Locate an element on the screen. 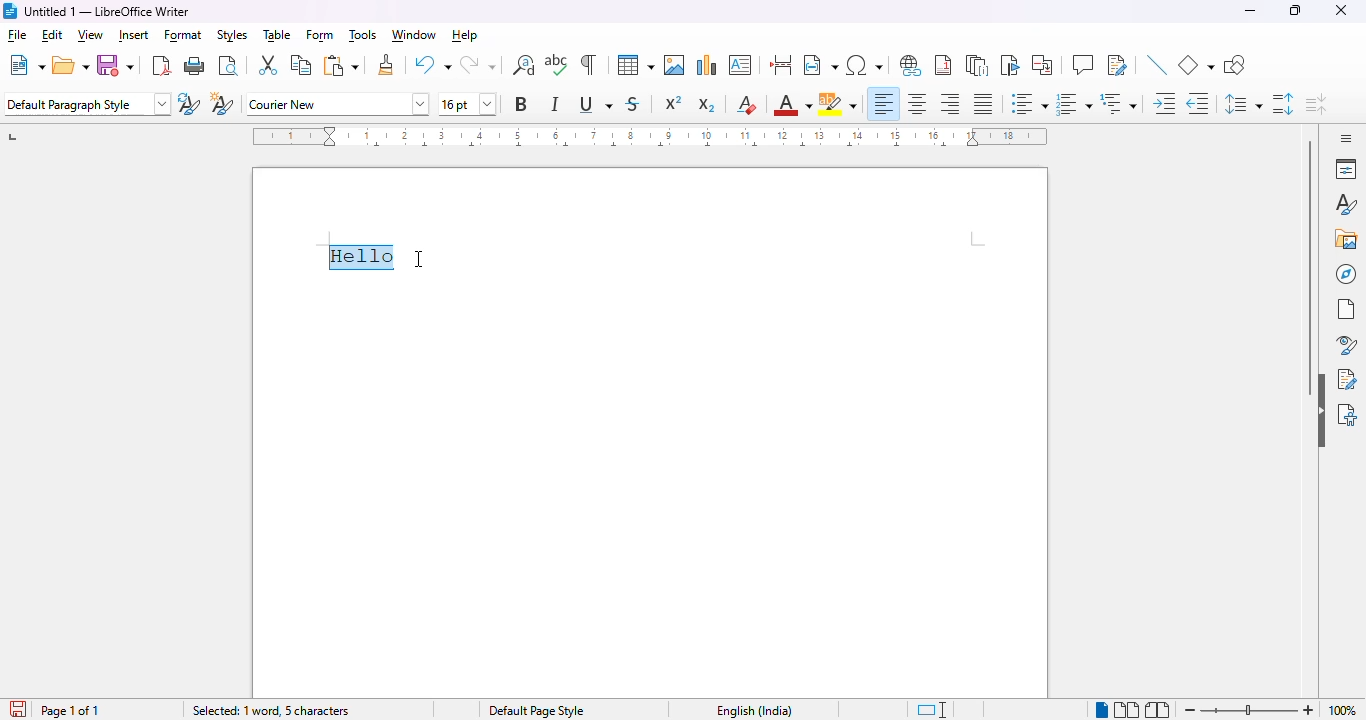 This screenshot has width=1366, height=720. clear direct formatting is located at coordinates (748, 104).